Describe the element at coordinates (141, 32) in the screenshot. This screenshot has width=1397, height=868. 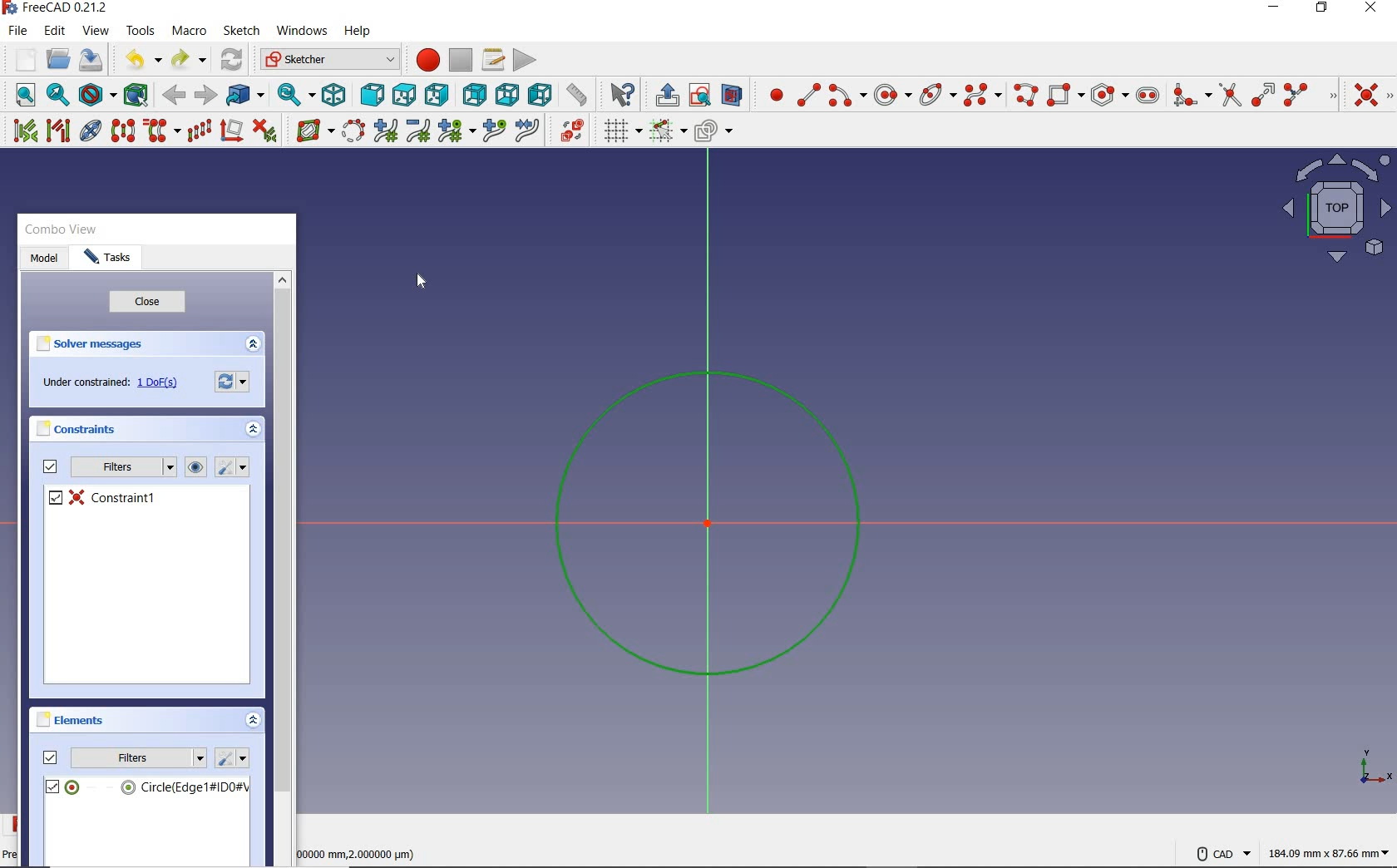
I see `tools` at that location.